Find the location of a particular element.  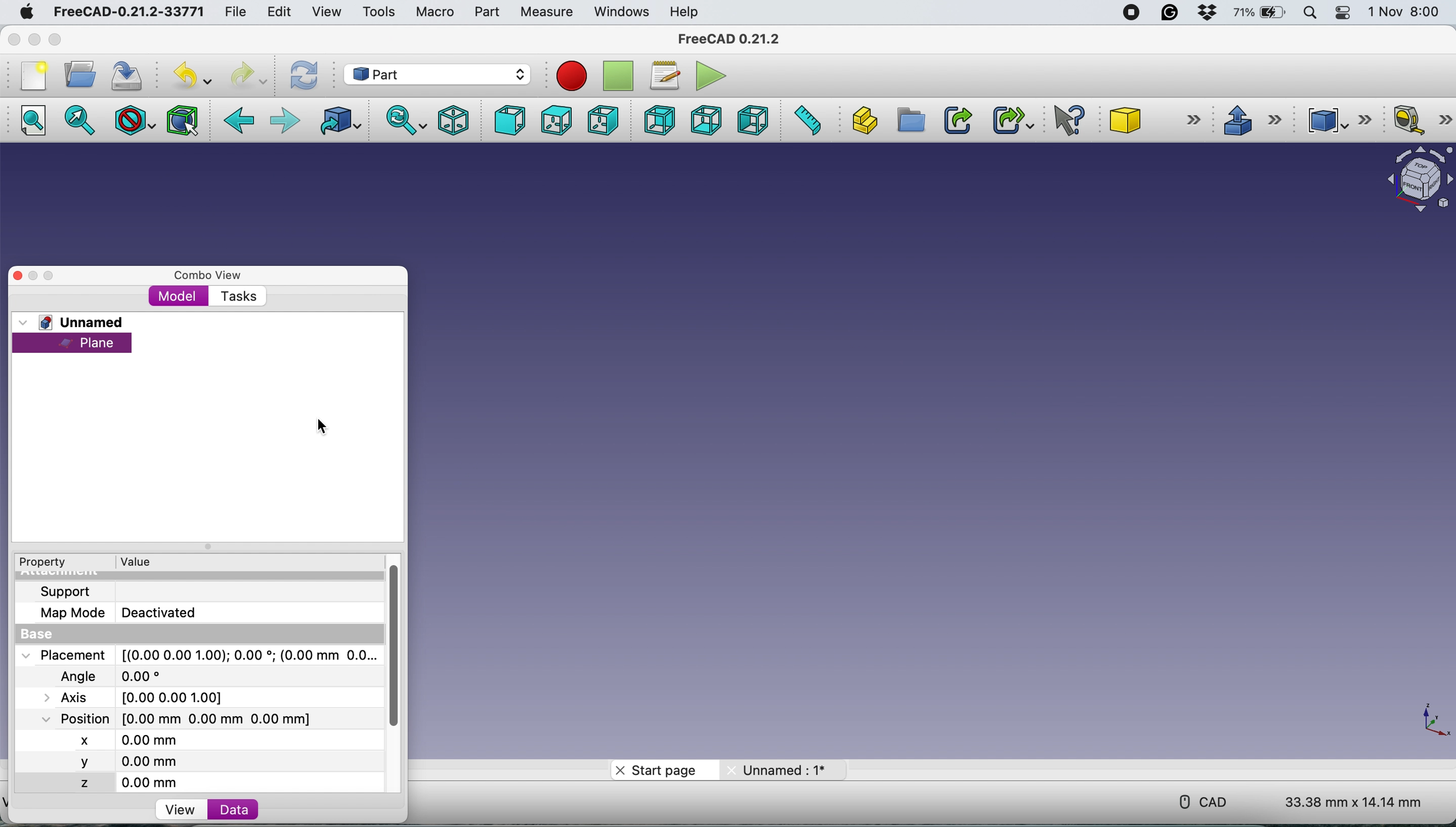

view is located at coordinates (176, 811).